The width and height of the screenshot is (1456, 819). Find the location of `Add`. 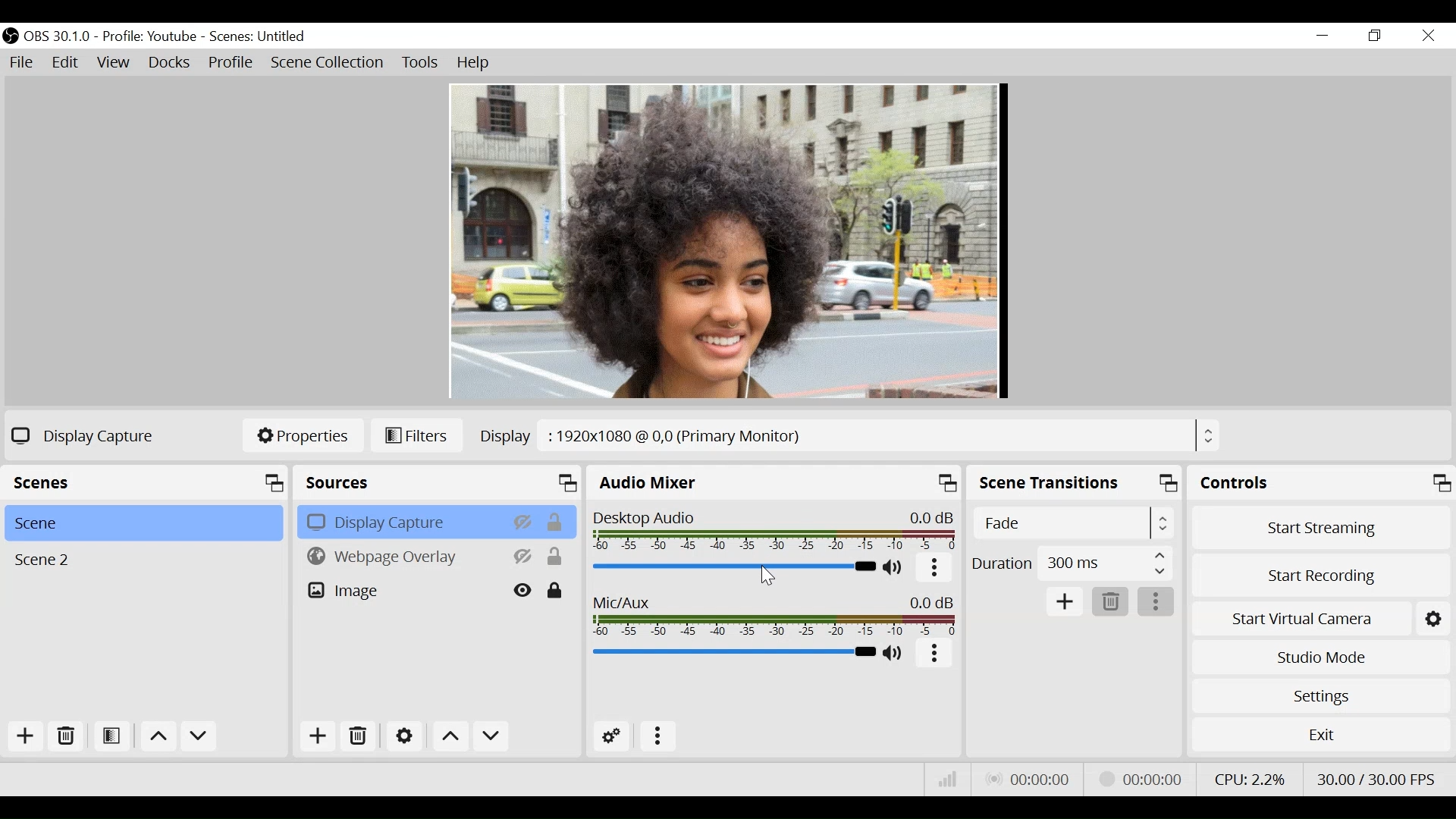

Add is located at coordinates (29, 736).